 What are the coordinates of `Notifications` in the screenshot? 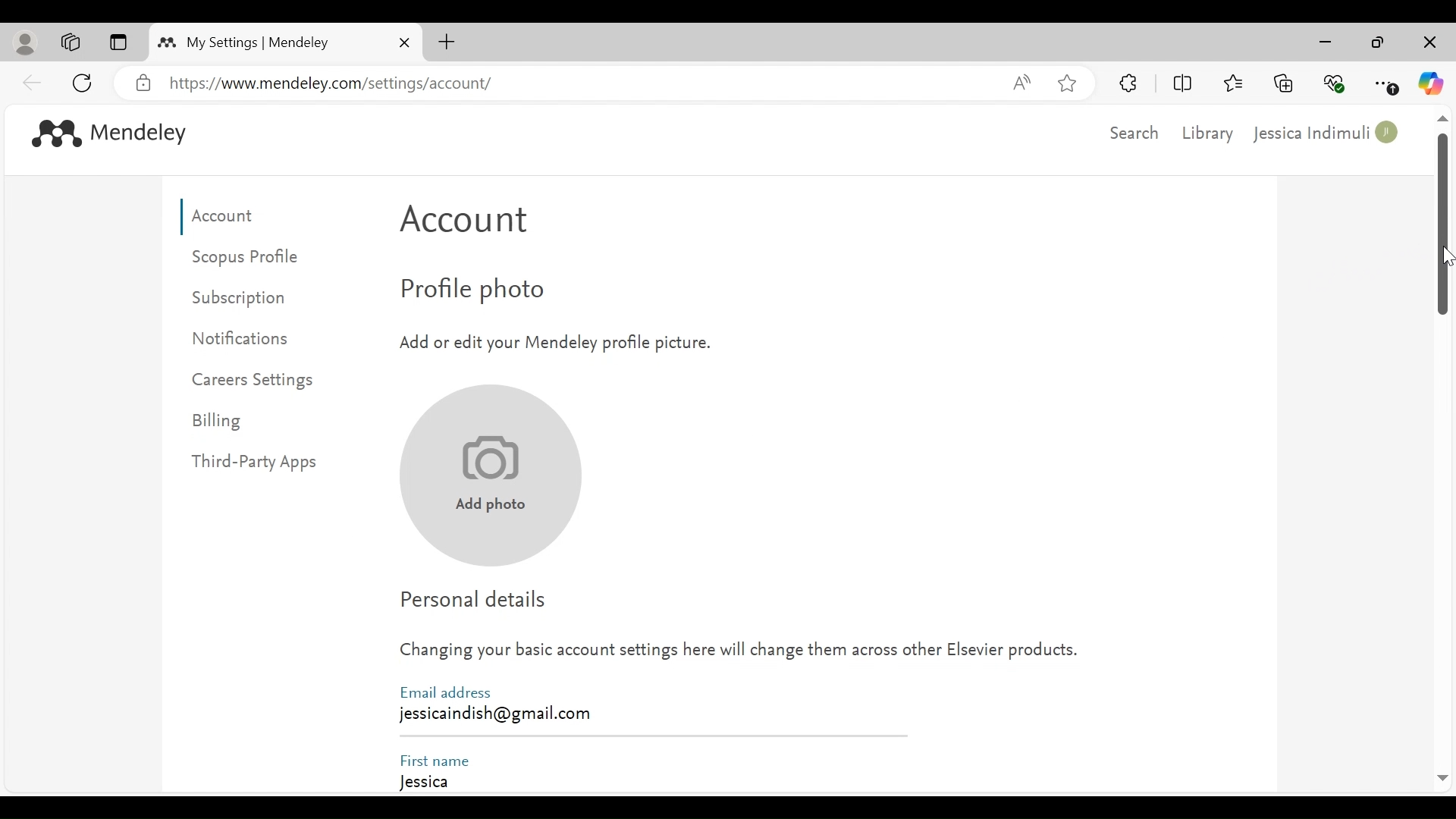 It's located at (248, 337).